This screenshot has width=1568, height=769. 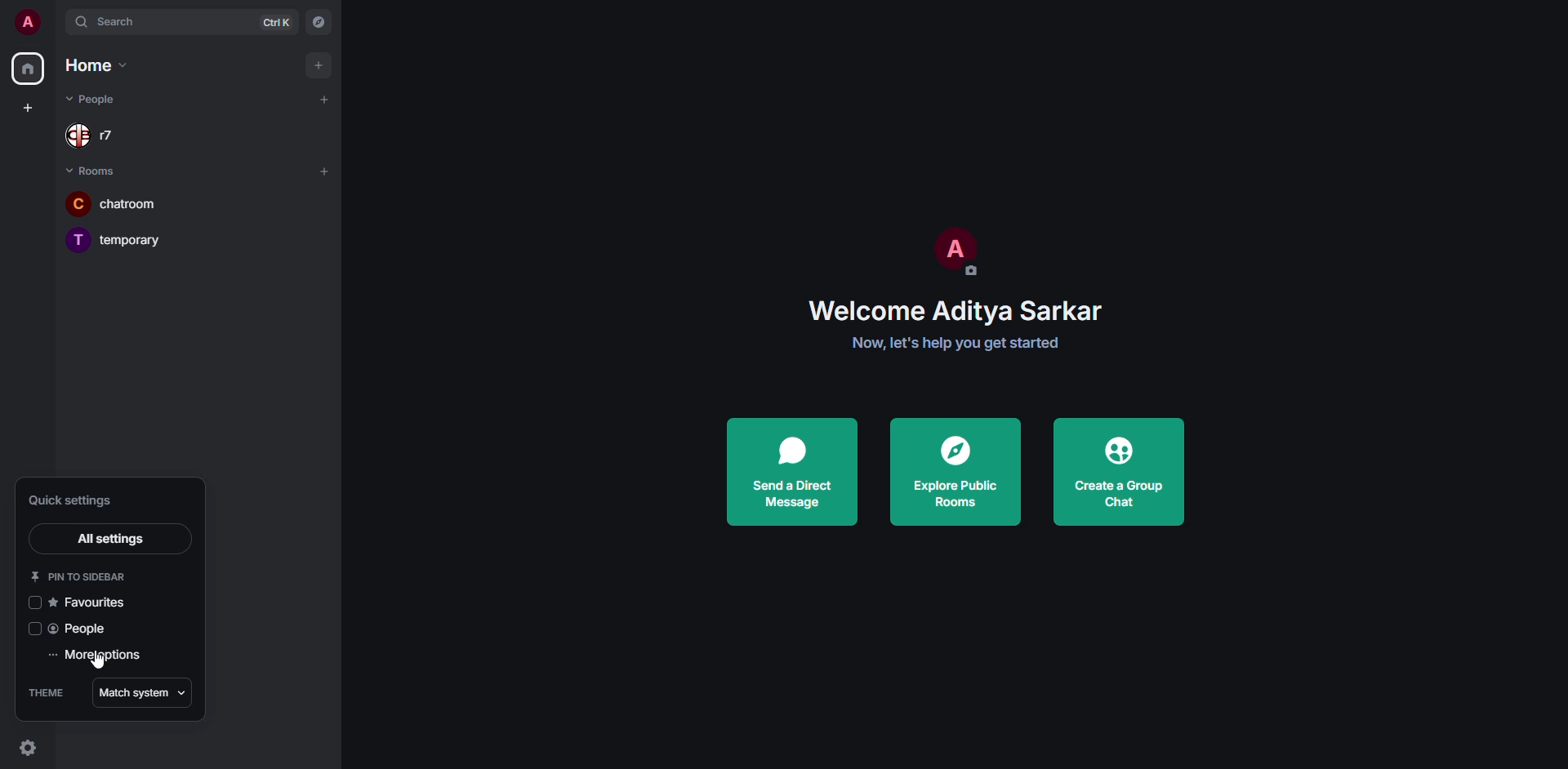 What do you see at coordinates (953, 249) in the screenshot?
I see `profile pic` at bounding box center [953, 249].